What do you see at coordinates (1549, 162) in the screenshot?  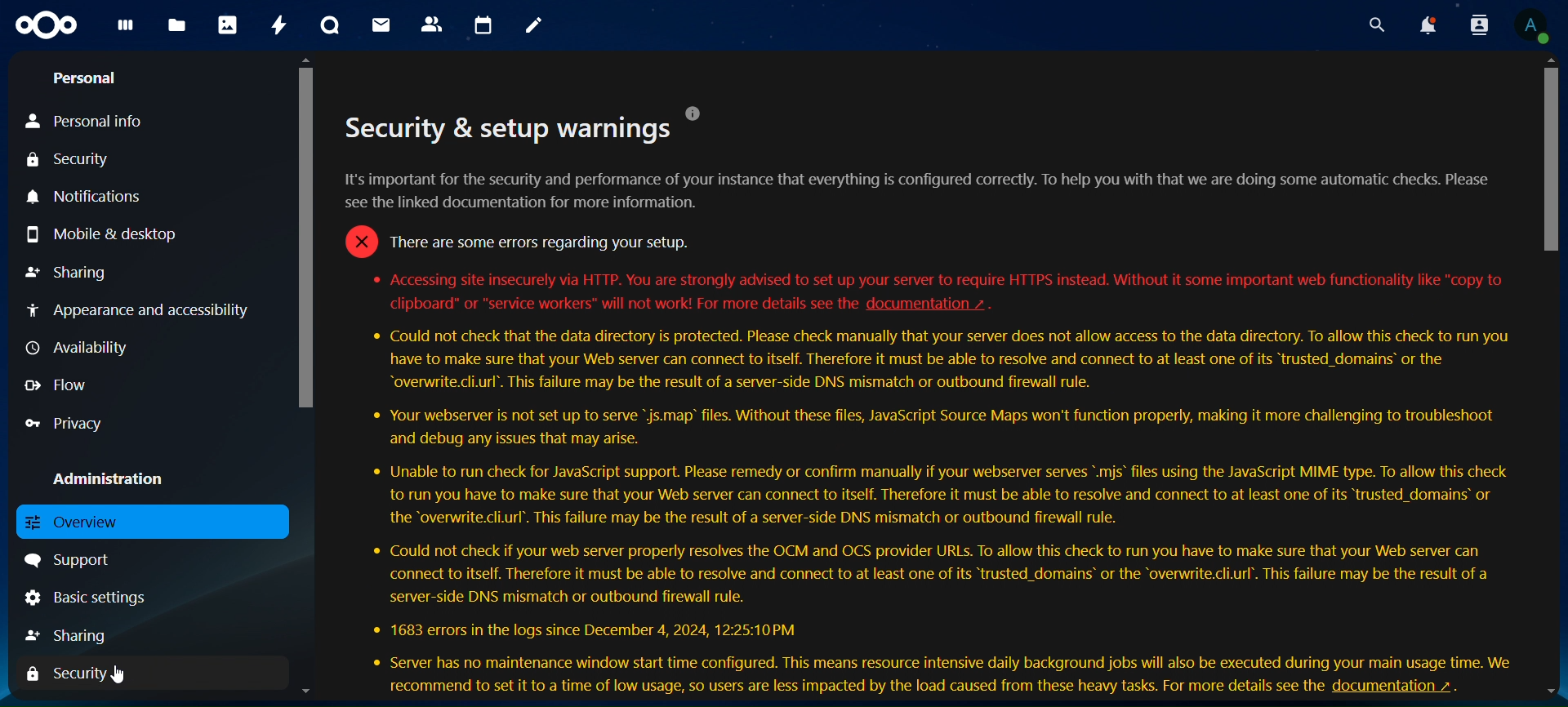 I see `scrollbar` at bounding box center [1549, 162].